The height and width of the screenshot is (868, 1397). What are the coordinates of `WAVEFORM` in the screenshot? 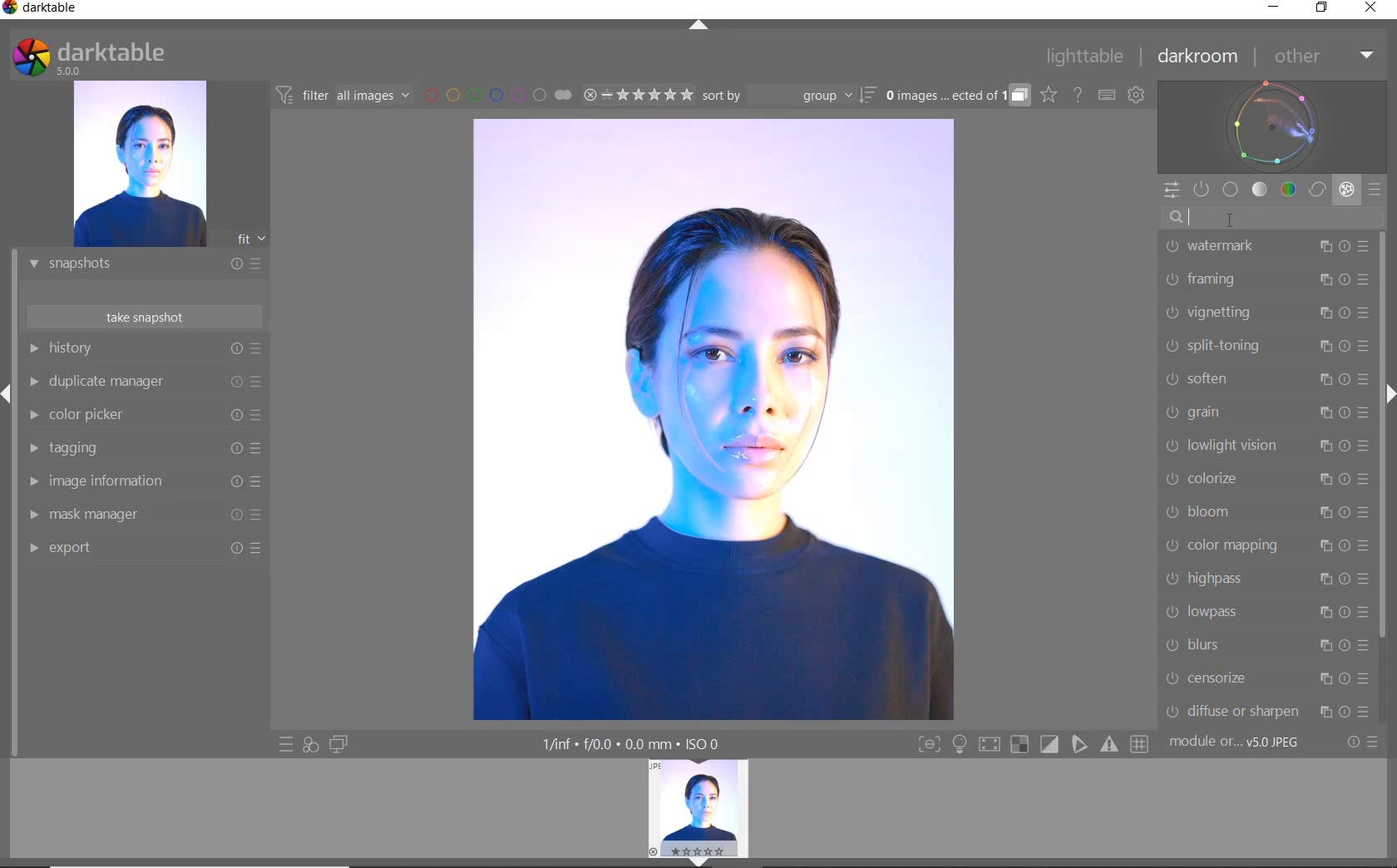 It's located at (1272, 126).